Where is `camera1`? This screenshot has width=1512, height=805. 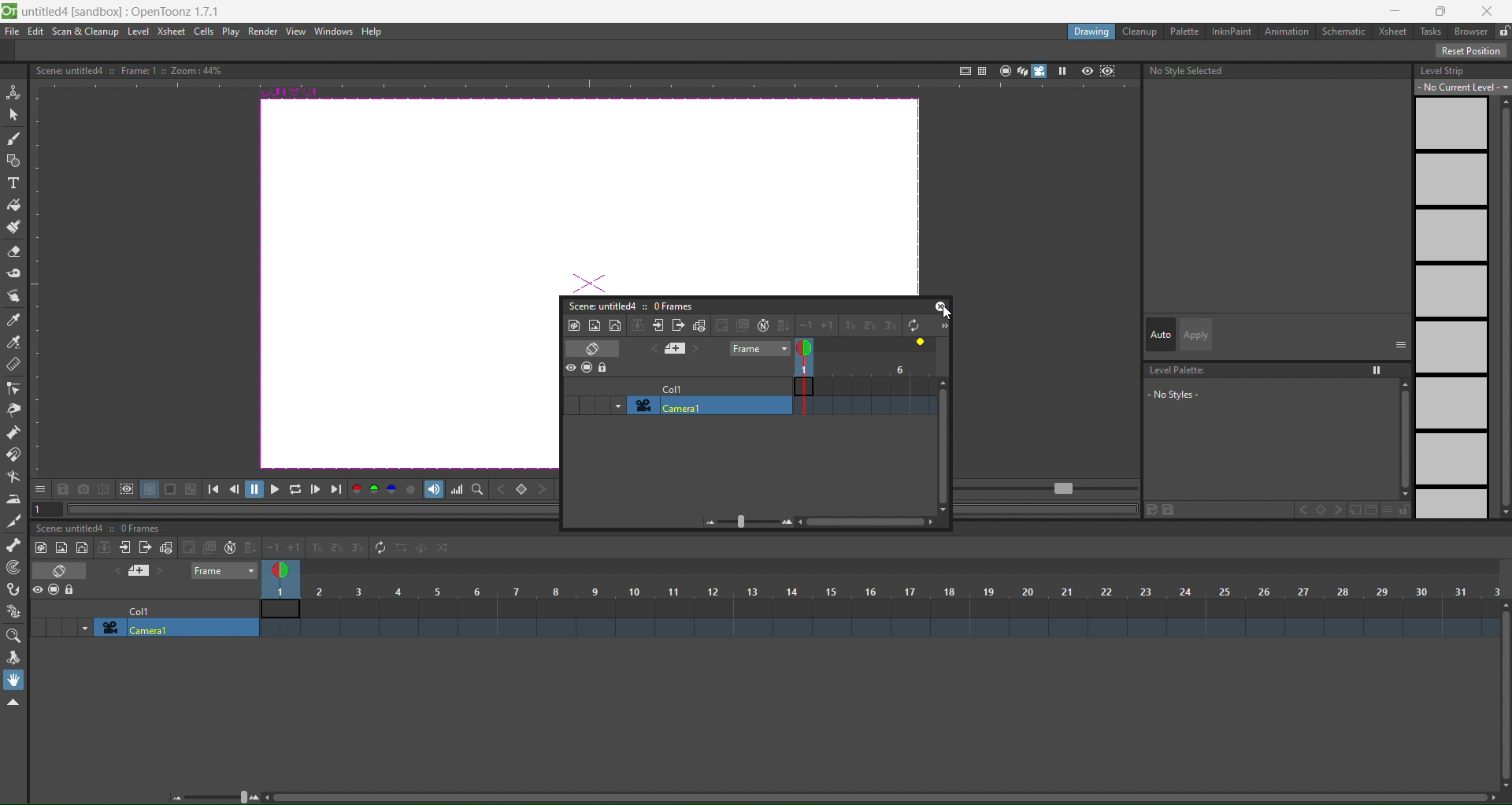
camera1 is located at coordinates (178, 629).